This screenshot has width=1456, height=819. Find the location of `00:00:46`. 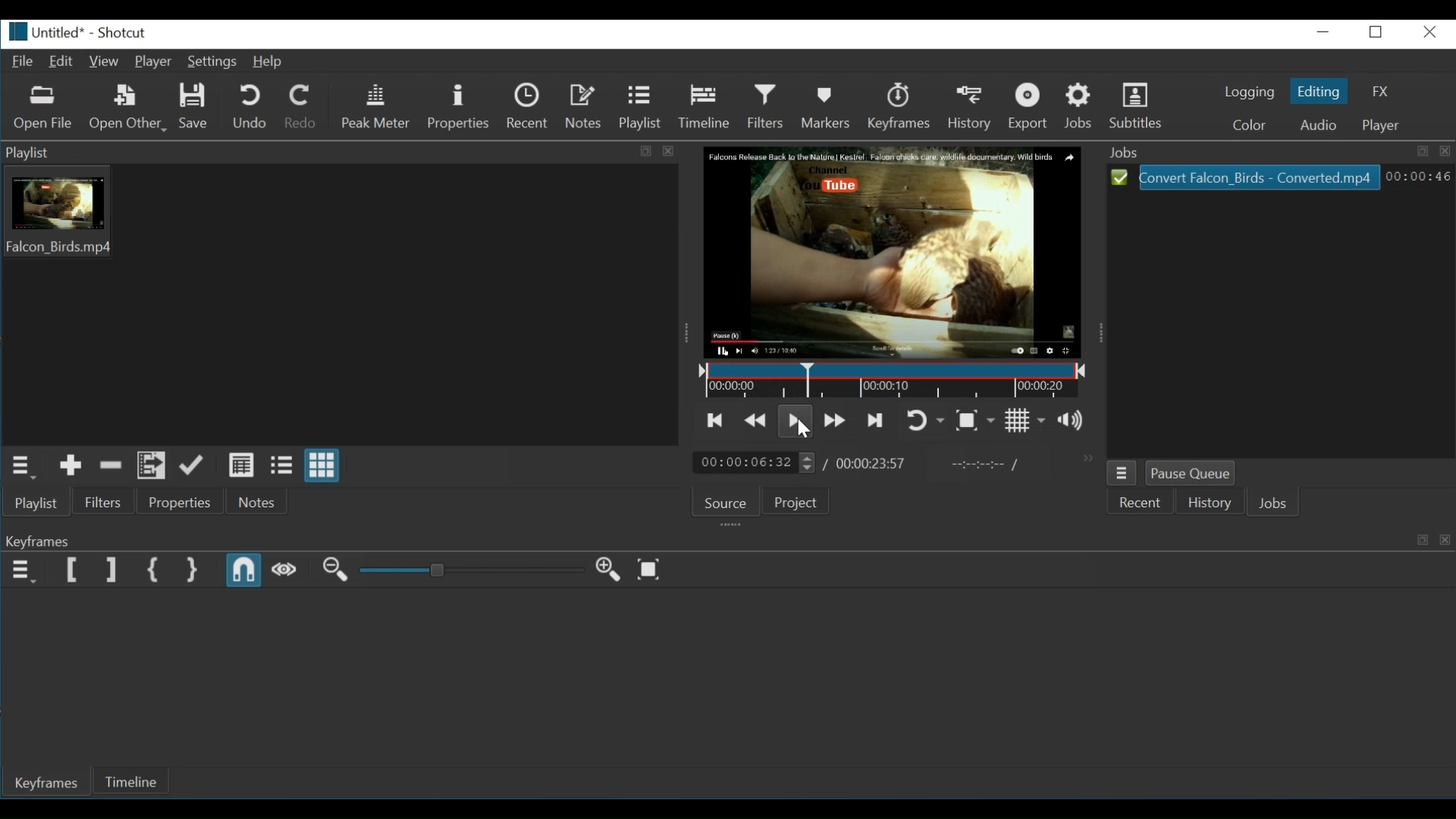

00:00:46 is located at coordinates (1417, 177).